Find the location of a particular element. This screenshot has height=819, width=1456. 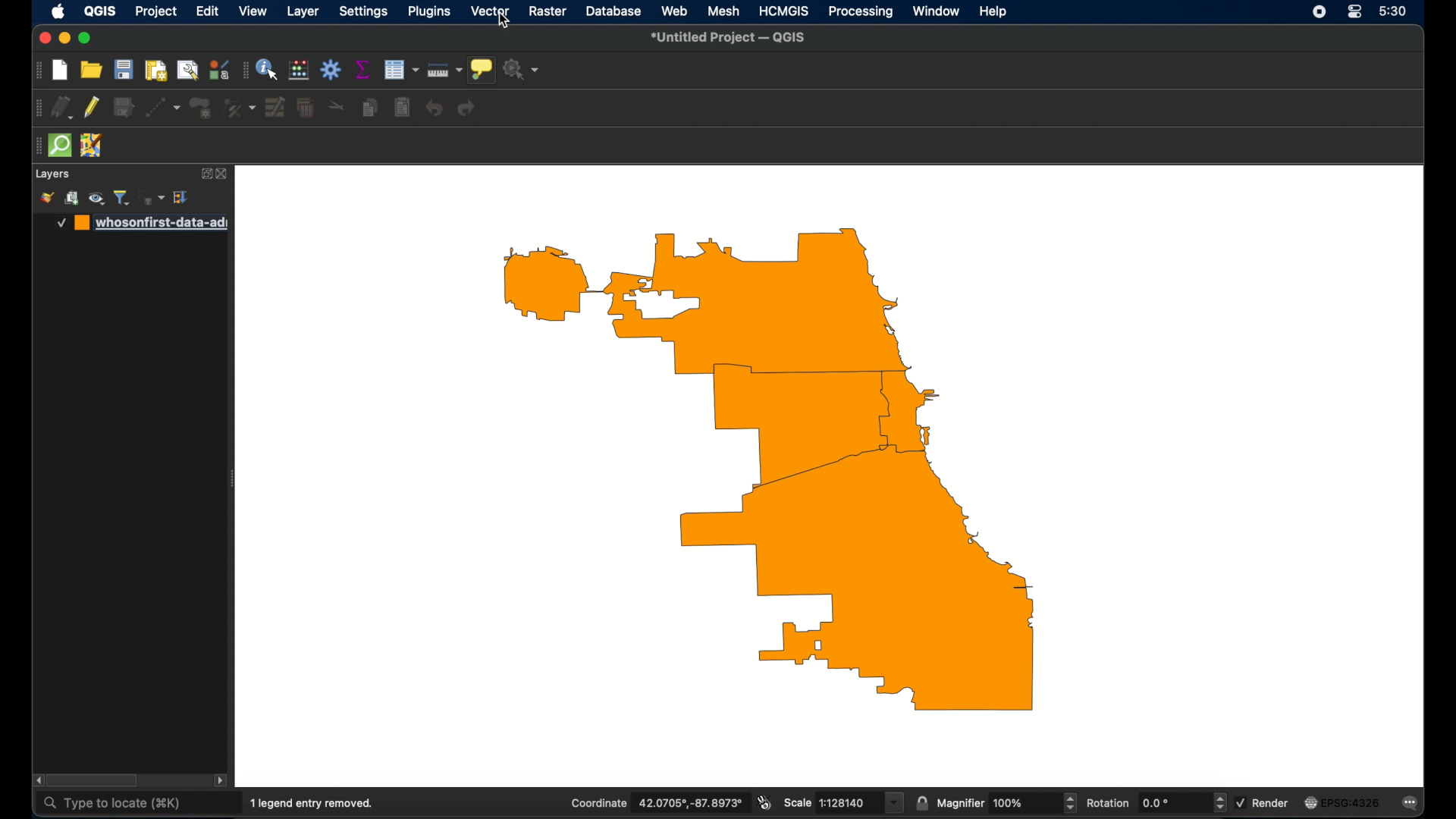

save project is located at coordinates (124, 70).